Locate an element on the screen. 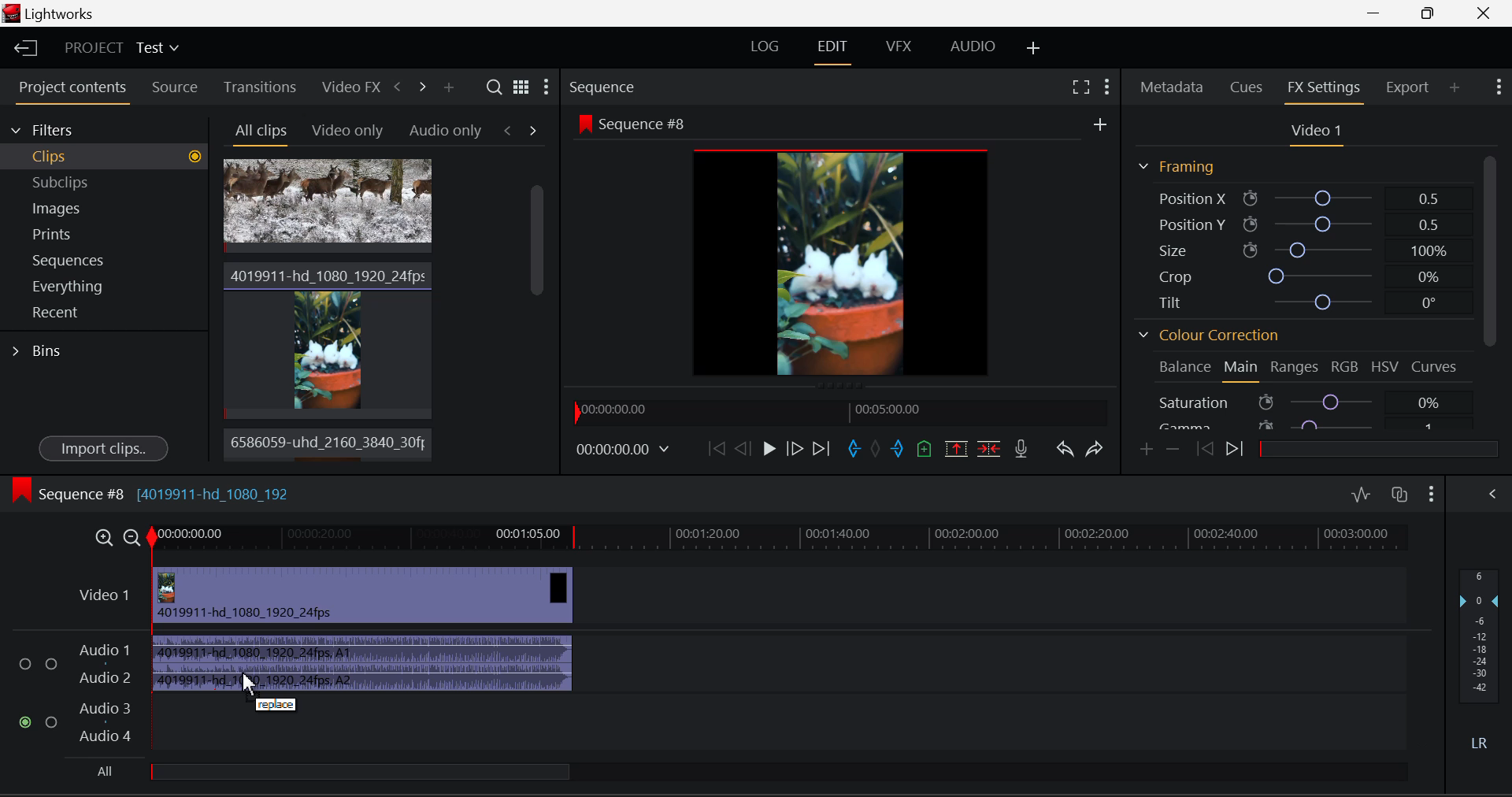  Previous Tab is located at coordinates (511, 130).